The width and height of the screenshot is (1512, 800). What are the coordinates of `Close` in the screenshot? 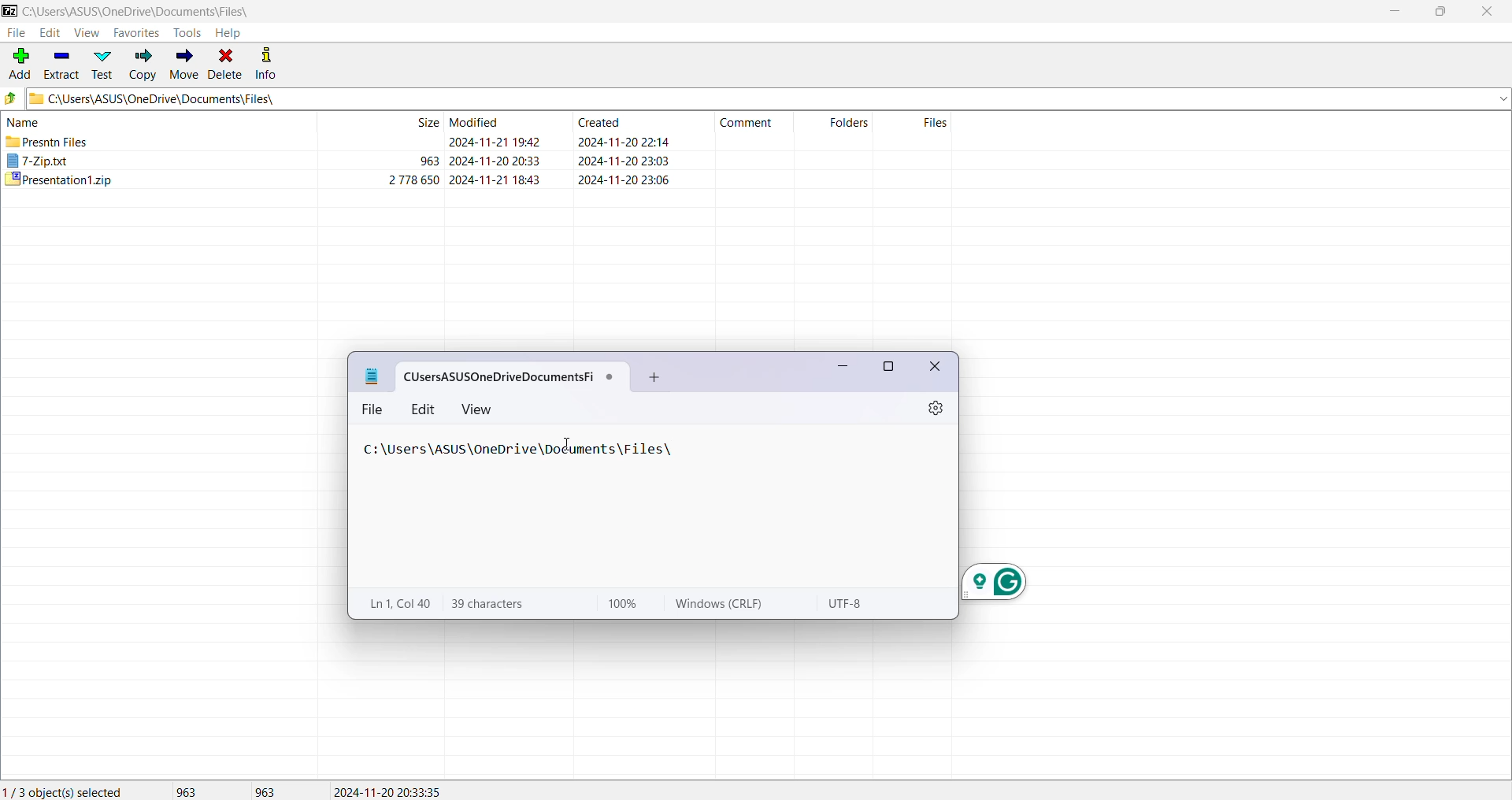 It's located at (937, 368).